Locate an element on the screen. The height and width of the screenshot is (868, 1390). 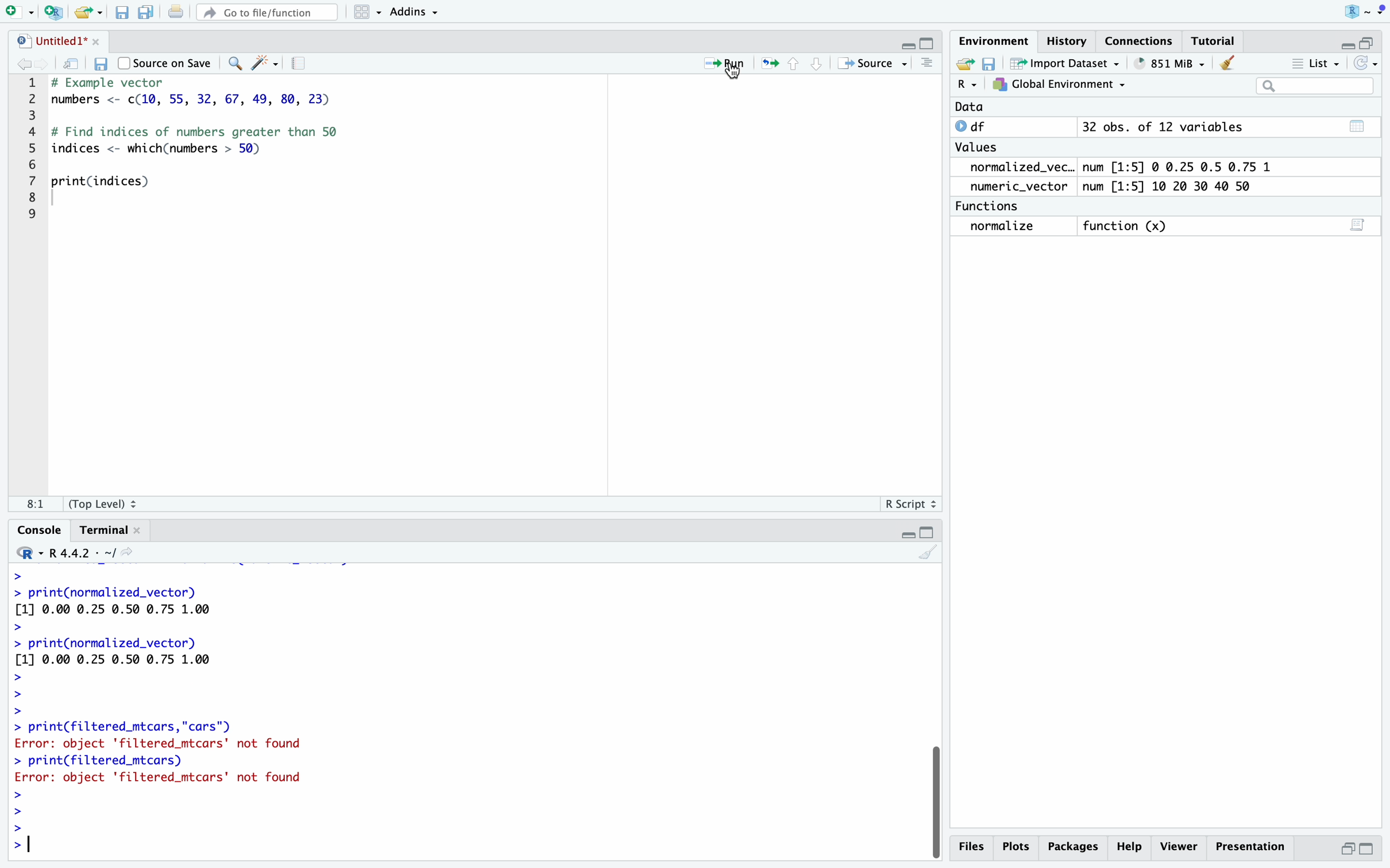
new project is located at coordinates (51, 11).